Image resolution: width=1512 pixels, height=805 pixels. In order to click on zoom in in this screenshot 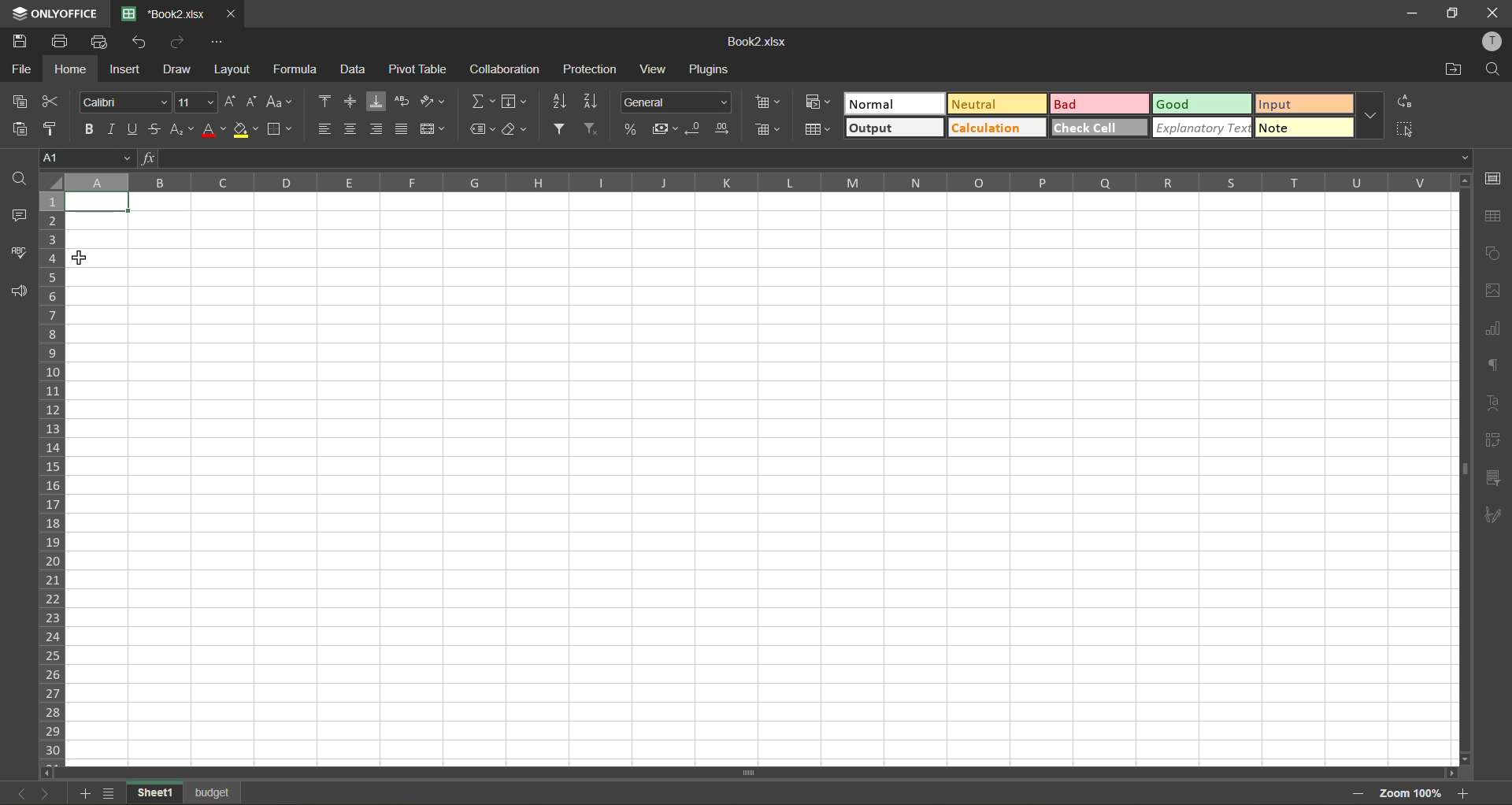, I will do `click(1464, 792)`.